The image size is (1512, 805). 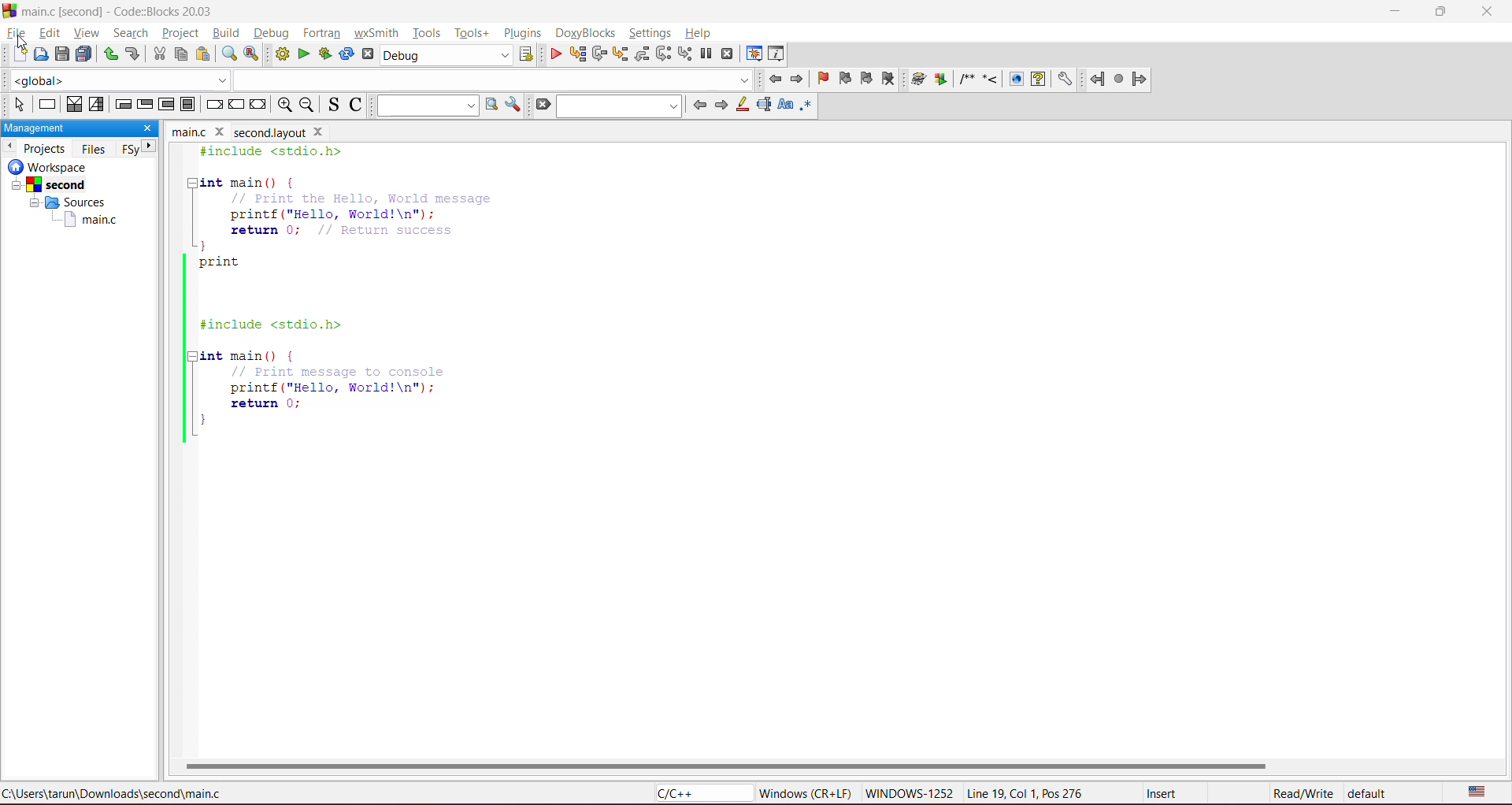 I want to click on next bookmark, so click(x=868, y=78).